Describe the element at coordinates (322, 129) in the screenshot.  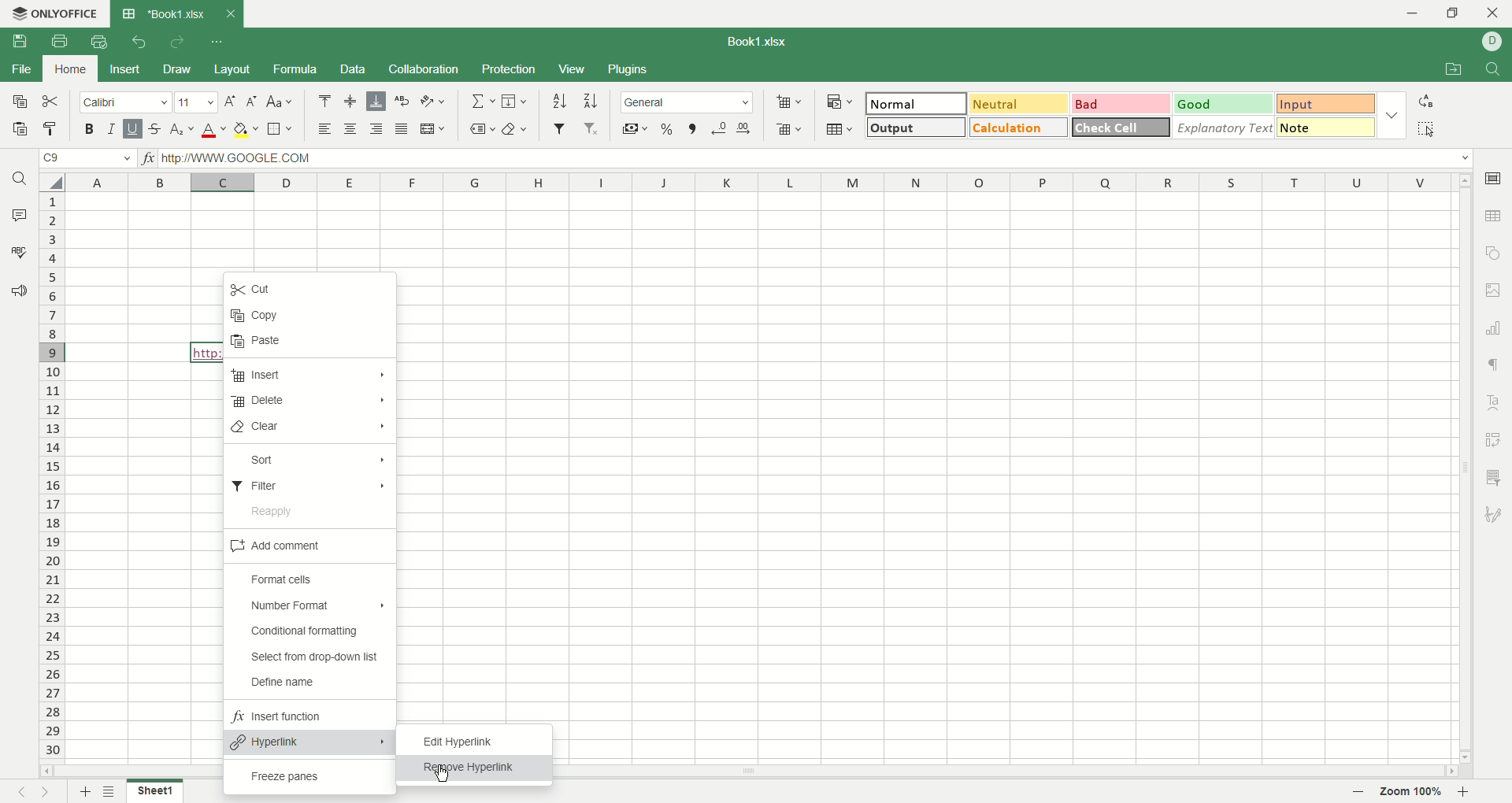
I see `align left` at that location.